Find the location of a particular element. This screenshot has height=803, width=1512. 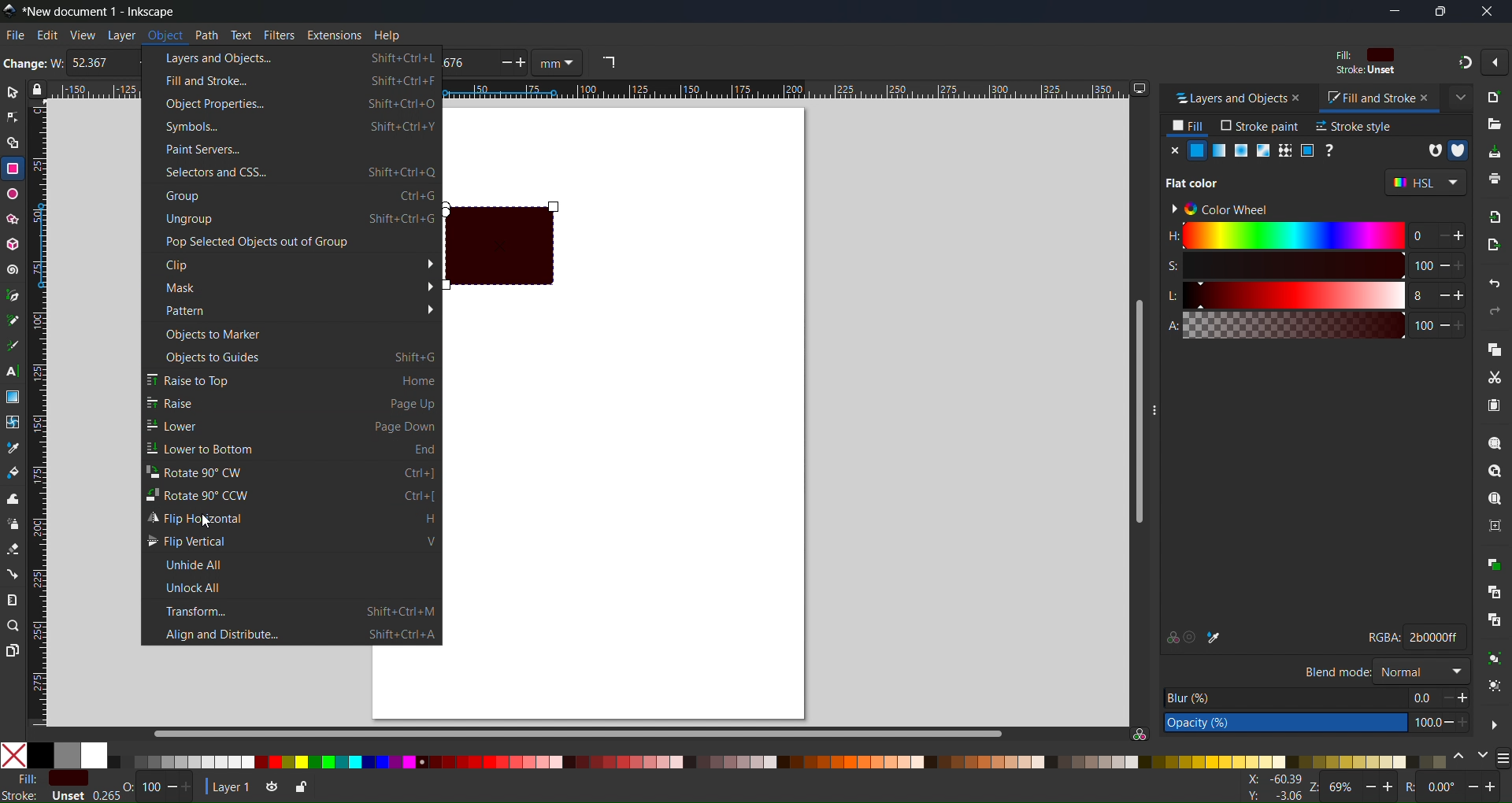

decrease alpha is located at coordinates (1444, 324).